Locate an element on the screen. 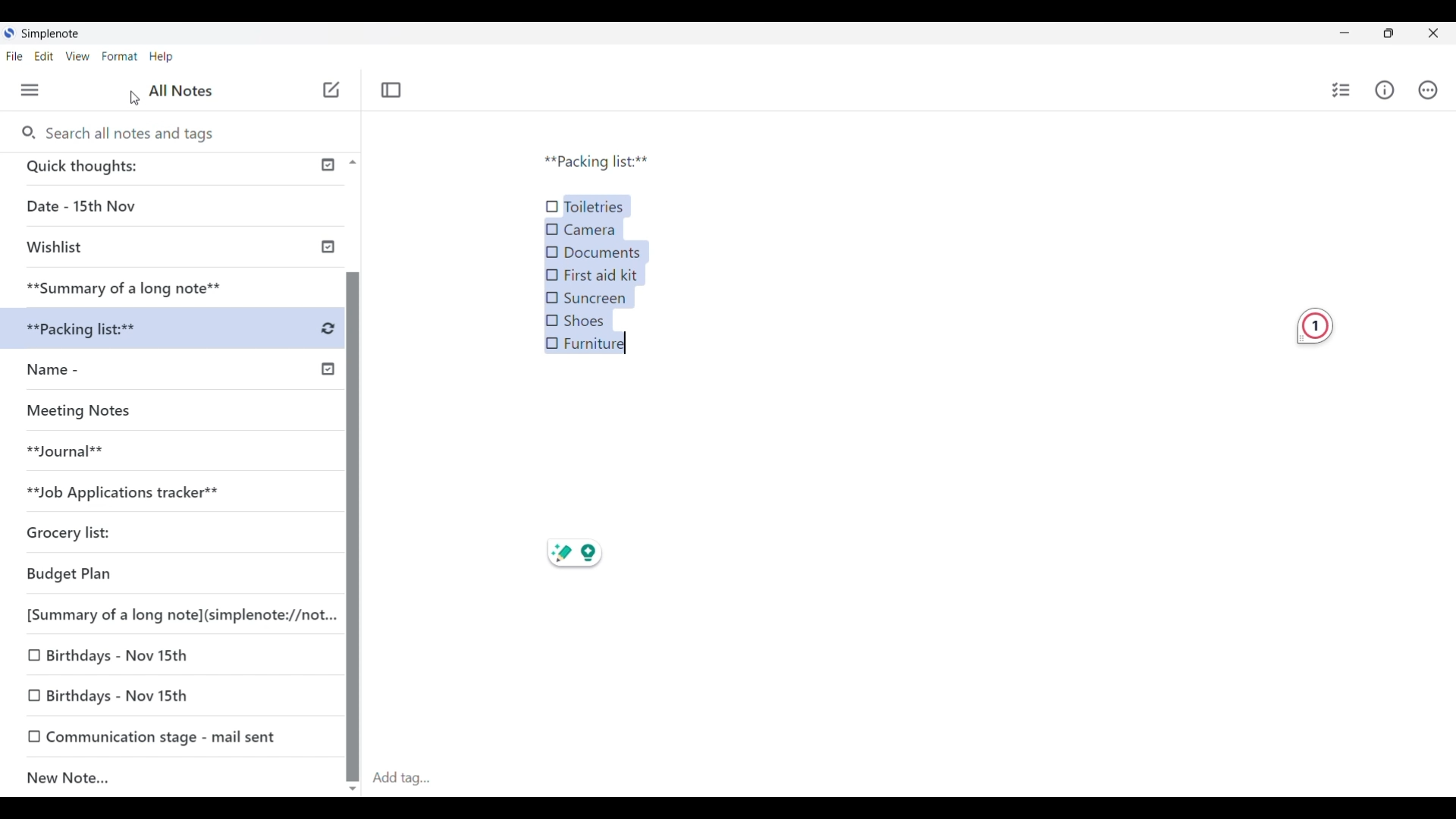 The image size is (1456, 819). Name - is located at coordinates (85, 372).